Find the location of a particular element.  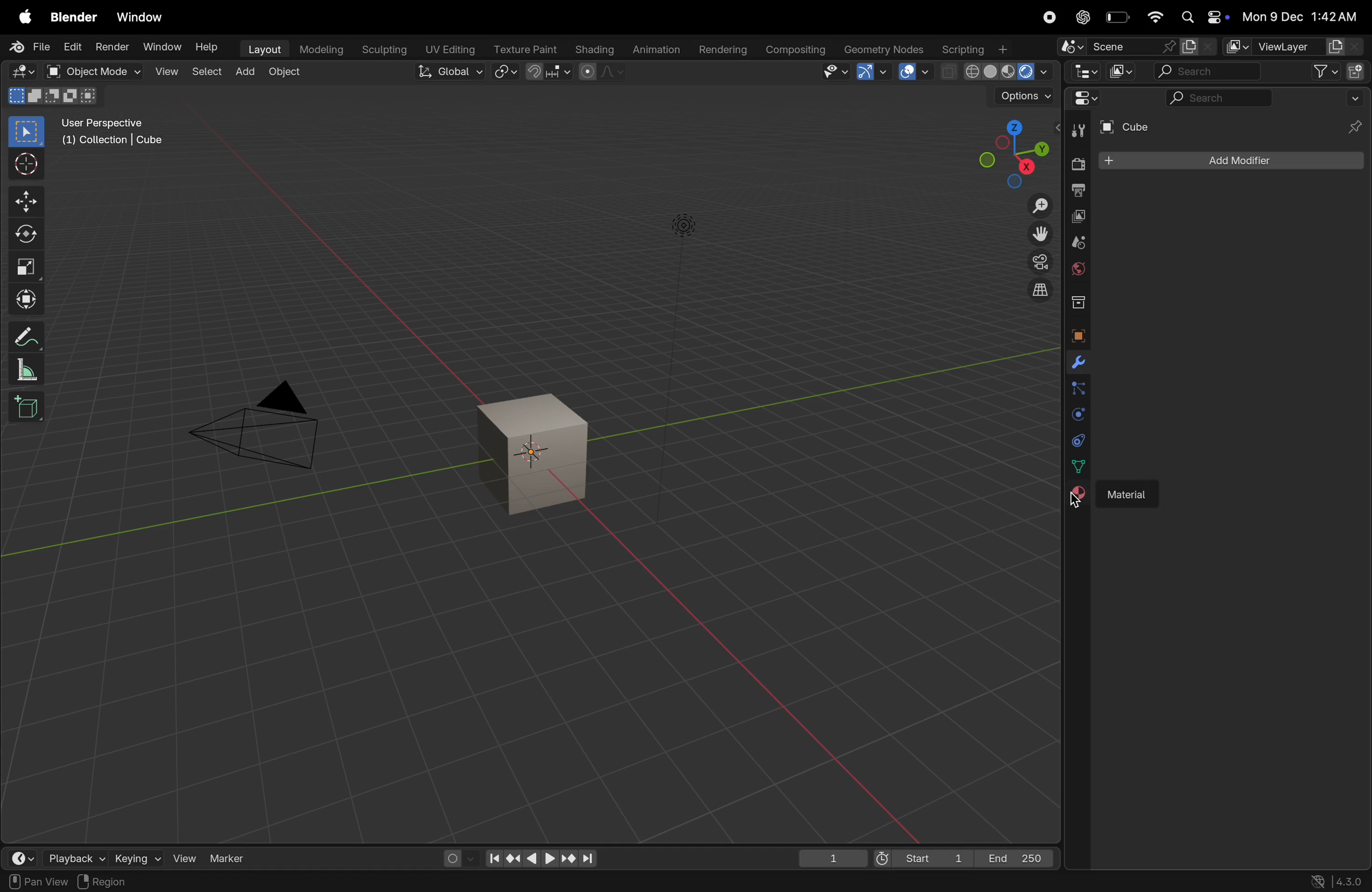

scripting is located at coordinates (975, 48).